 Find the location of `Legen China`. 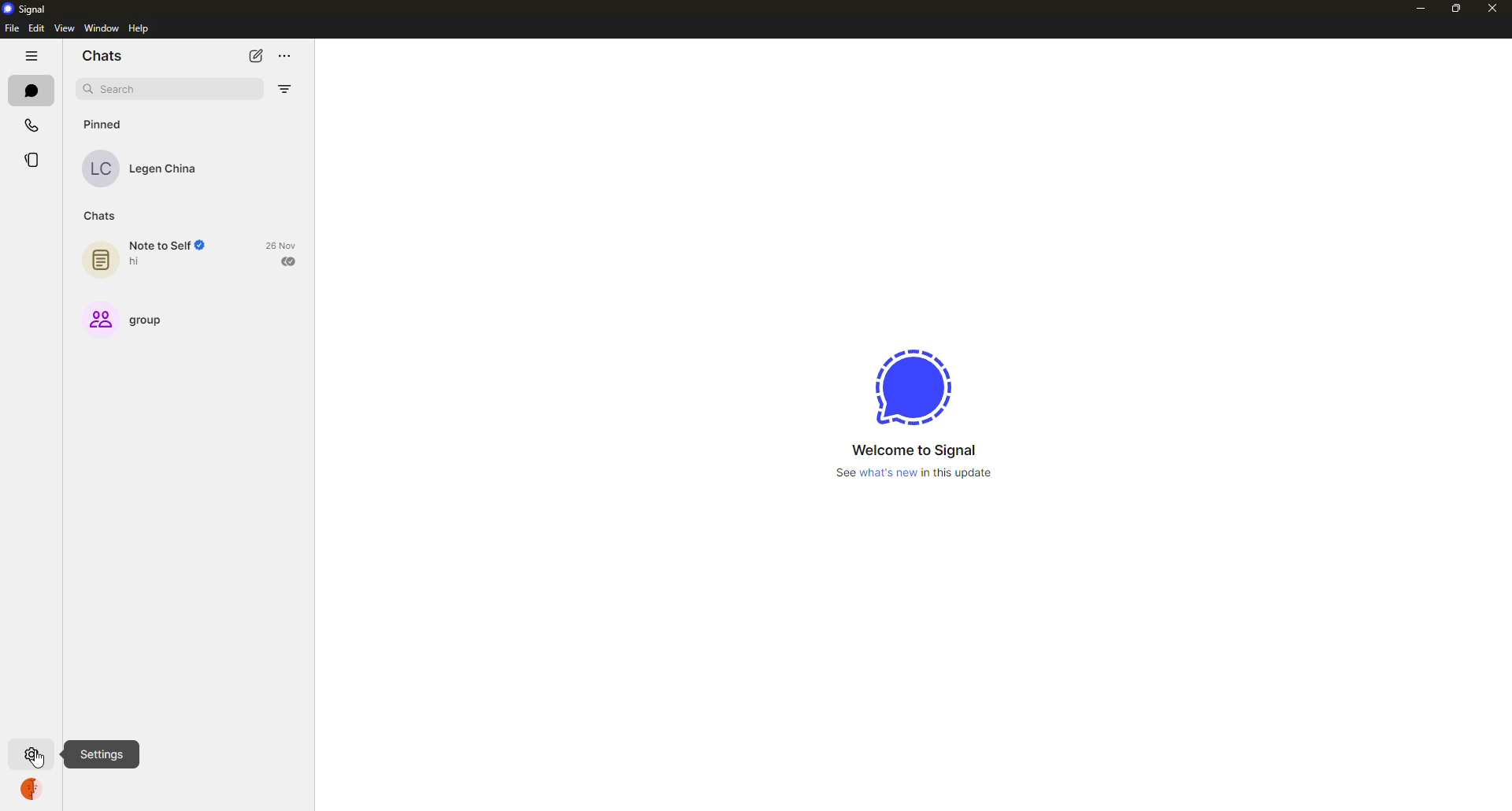

Legen China is located at coordinates (167, 171).